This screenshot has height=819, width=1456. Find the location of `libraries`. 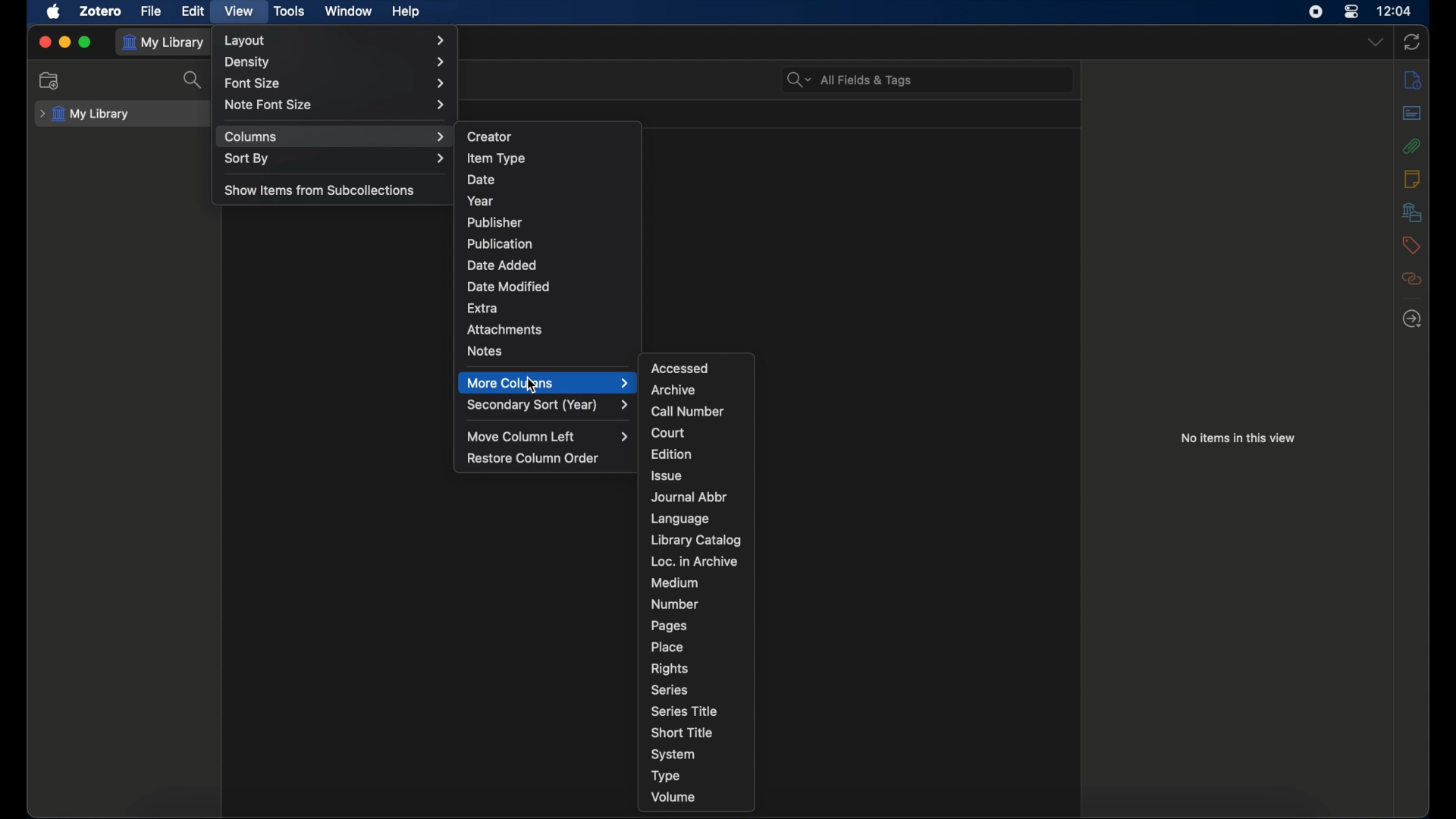

libraries is located at coordinates (1411, 212).